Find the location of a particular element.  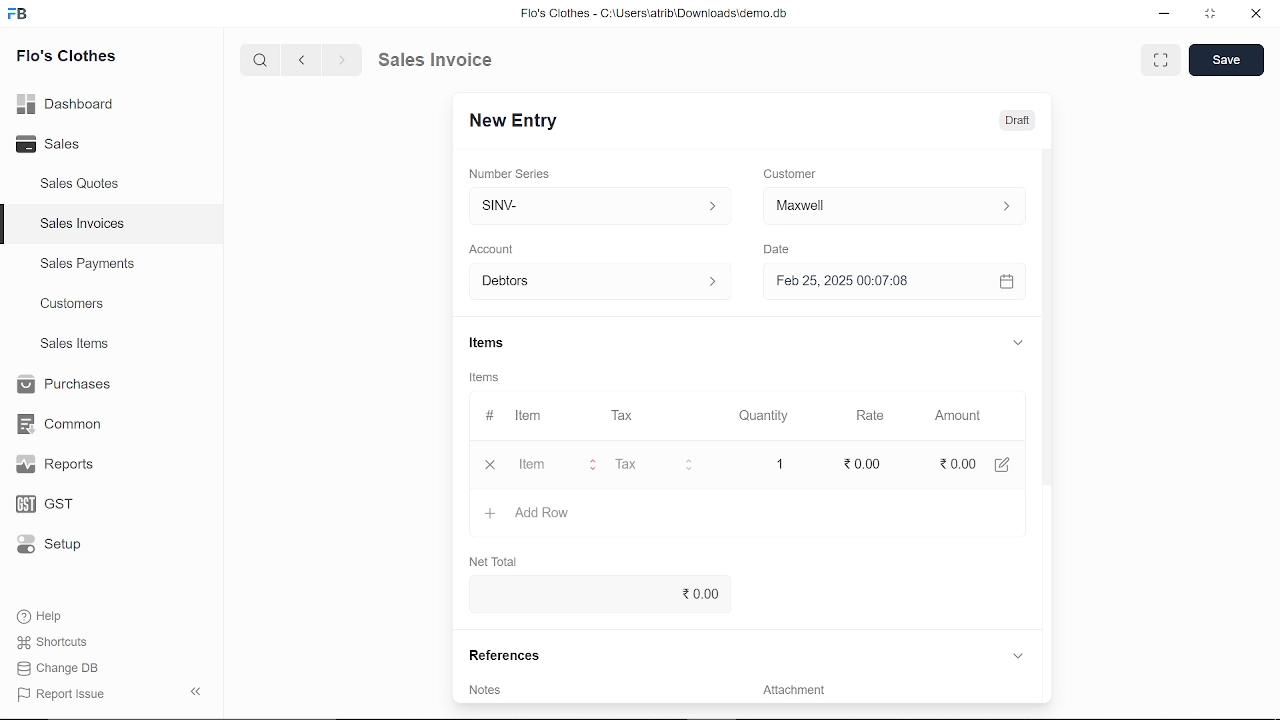

close is located at coordinates (1254, 14).